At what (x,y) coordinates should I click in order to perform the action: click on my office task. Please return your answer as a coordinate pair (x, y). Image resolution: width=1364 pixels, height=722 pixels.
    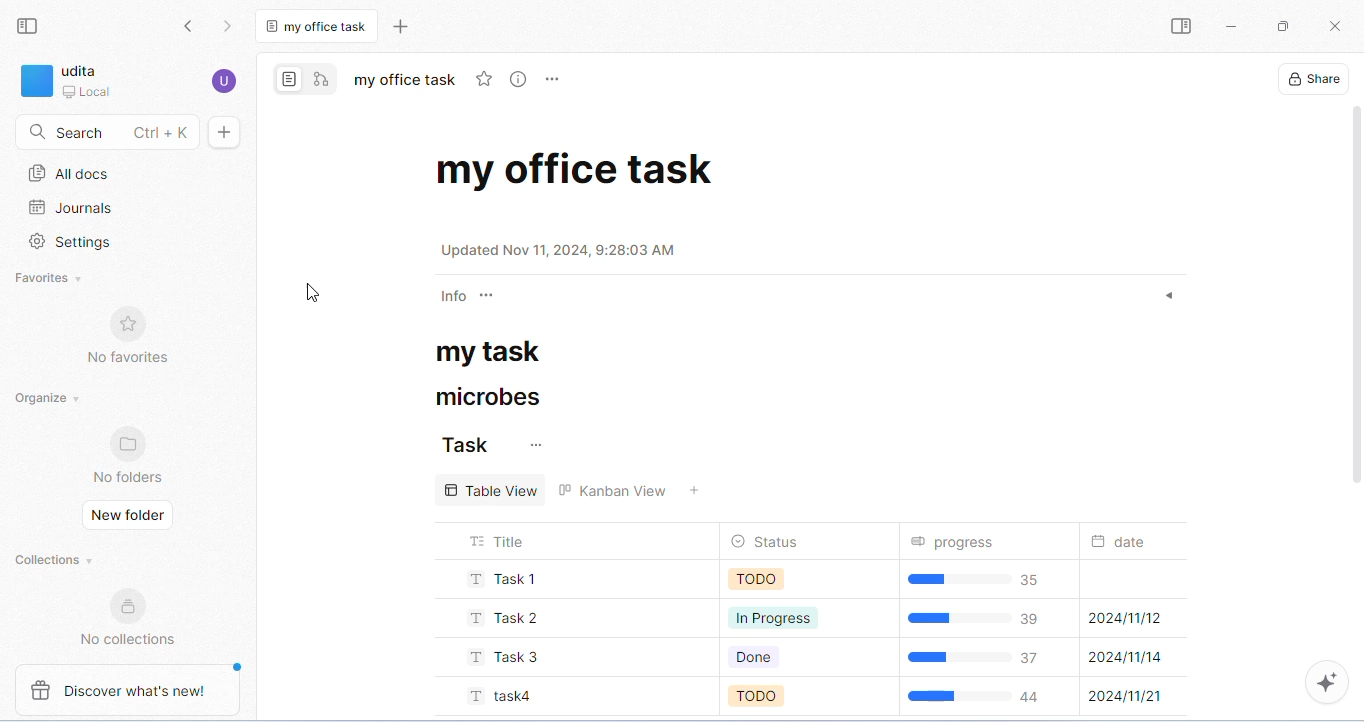
    Looking at the image, I should click on (575, 169).